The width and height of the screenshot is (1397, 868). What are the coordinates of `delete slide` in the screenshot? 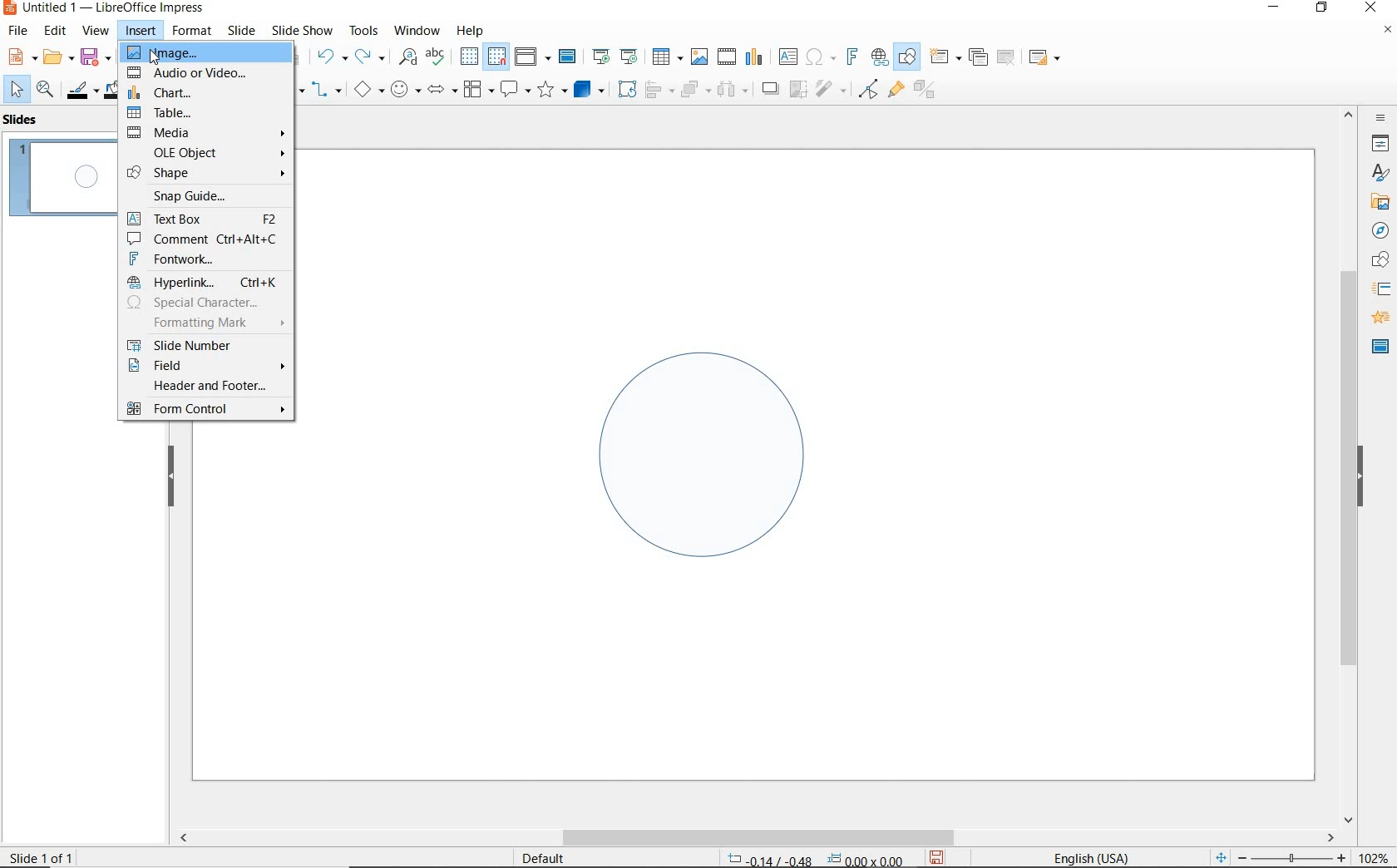 It's located at (1006, 58).